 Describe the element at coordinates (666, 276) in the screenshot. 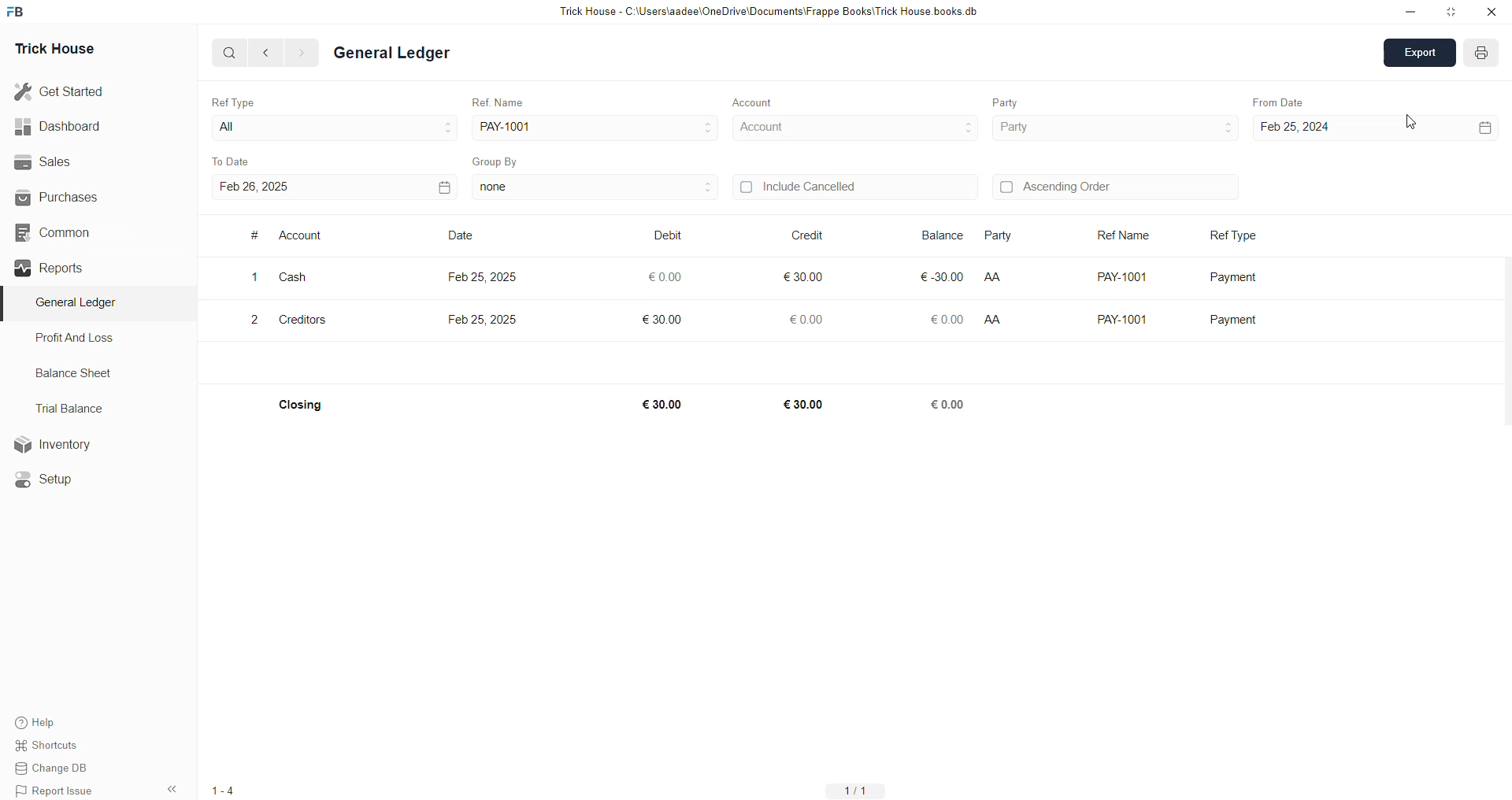

I see `€000` at that location.